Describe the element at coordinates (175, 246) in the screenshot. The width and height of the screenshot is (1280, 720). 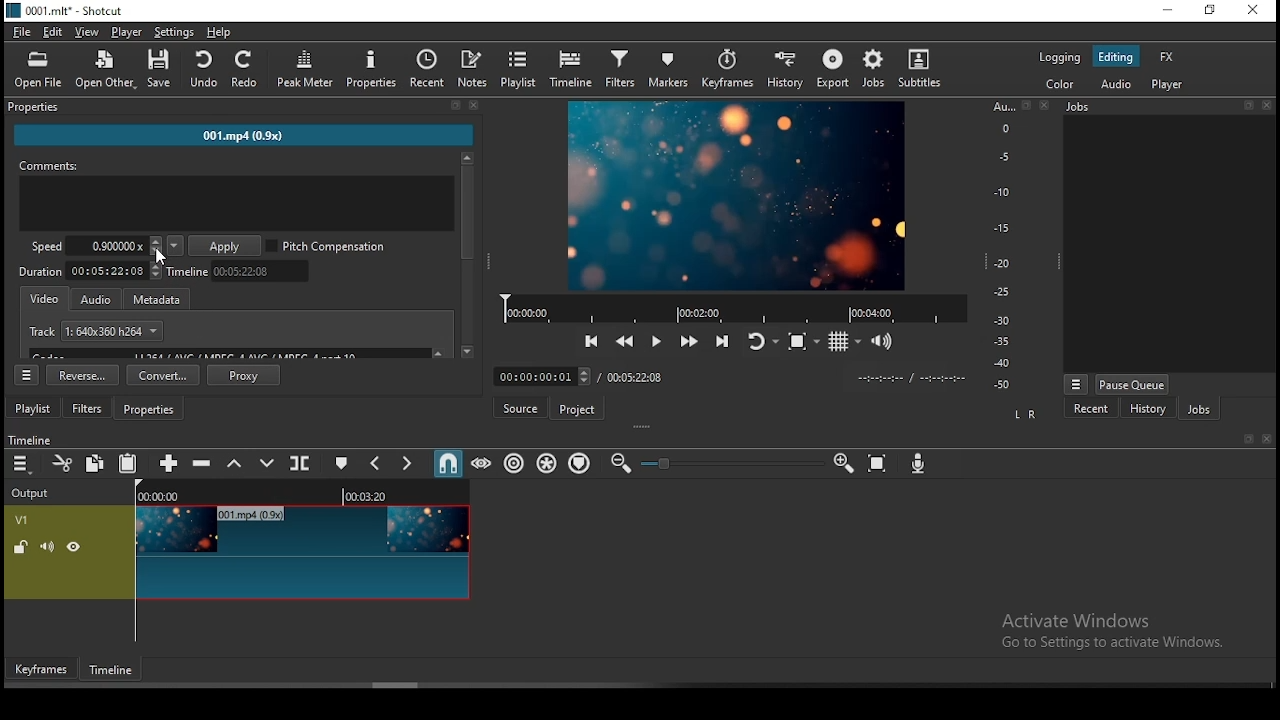
I see `speed presets ` at that location.